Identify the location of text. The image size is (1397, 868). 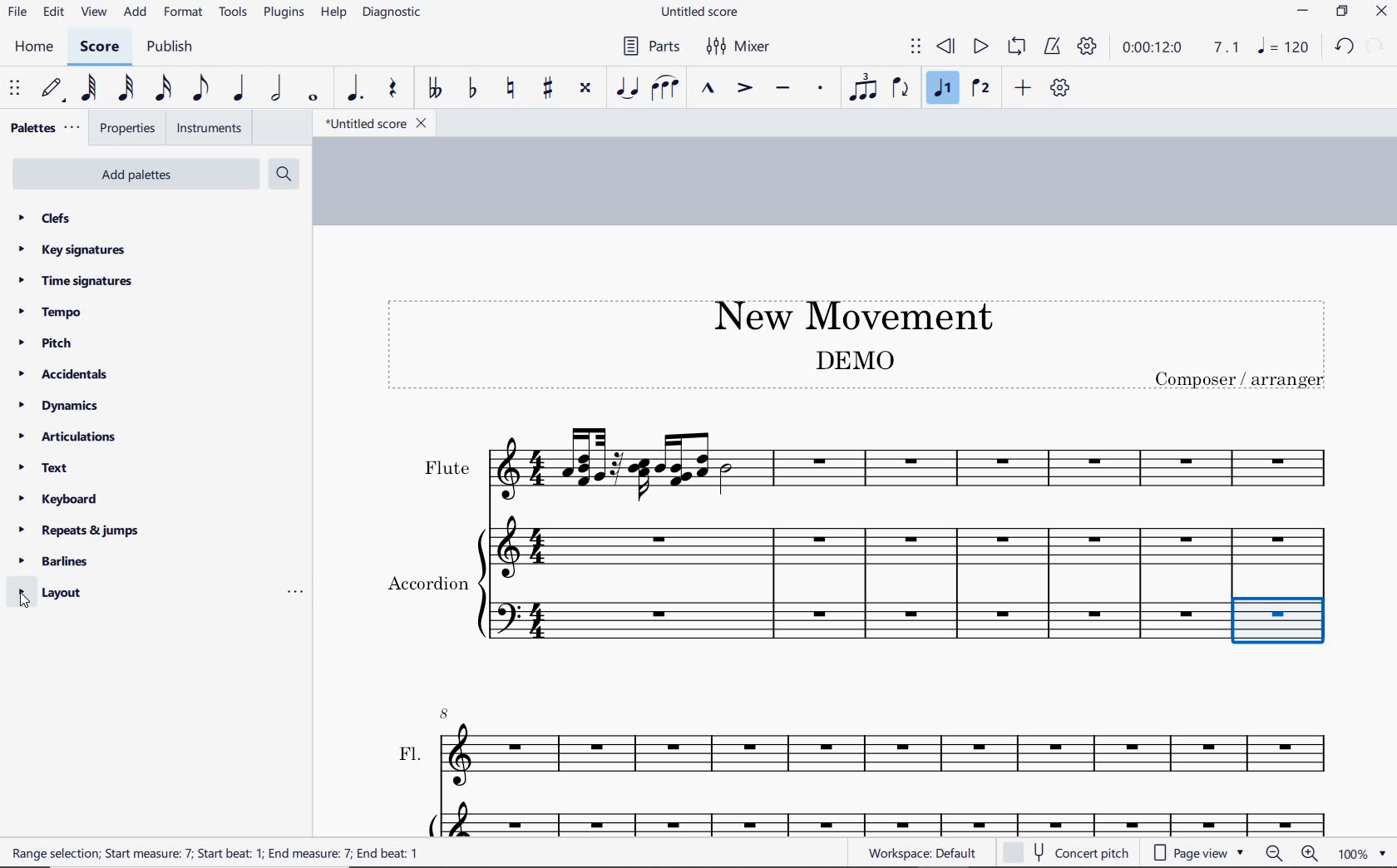
(411, 754).